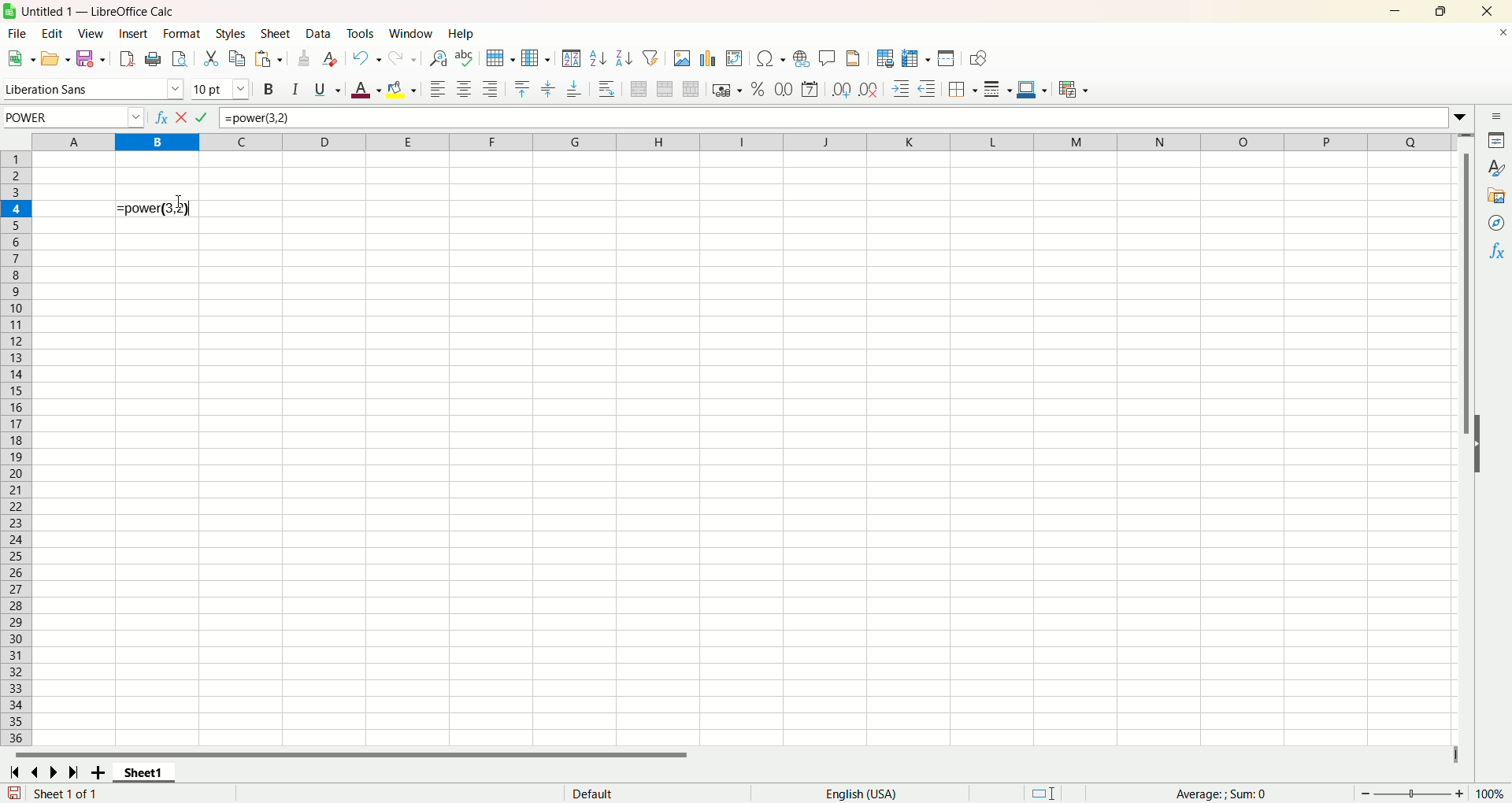 Image resolution: width=1512 pixels, height=803 pixels. Describe the element at coordinates (54, 61) in the screenshot. I see `Open` at that location.